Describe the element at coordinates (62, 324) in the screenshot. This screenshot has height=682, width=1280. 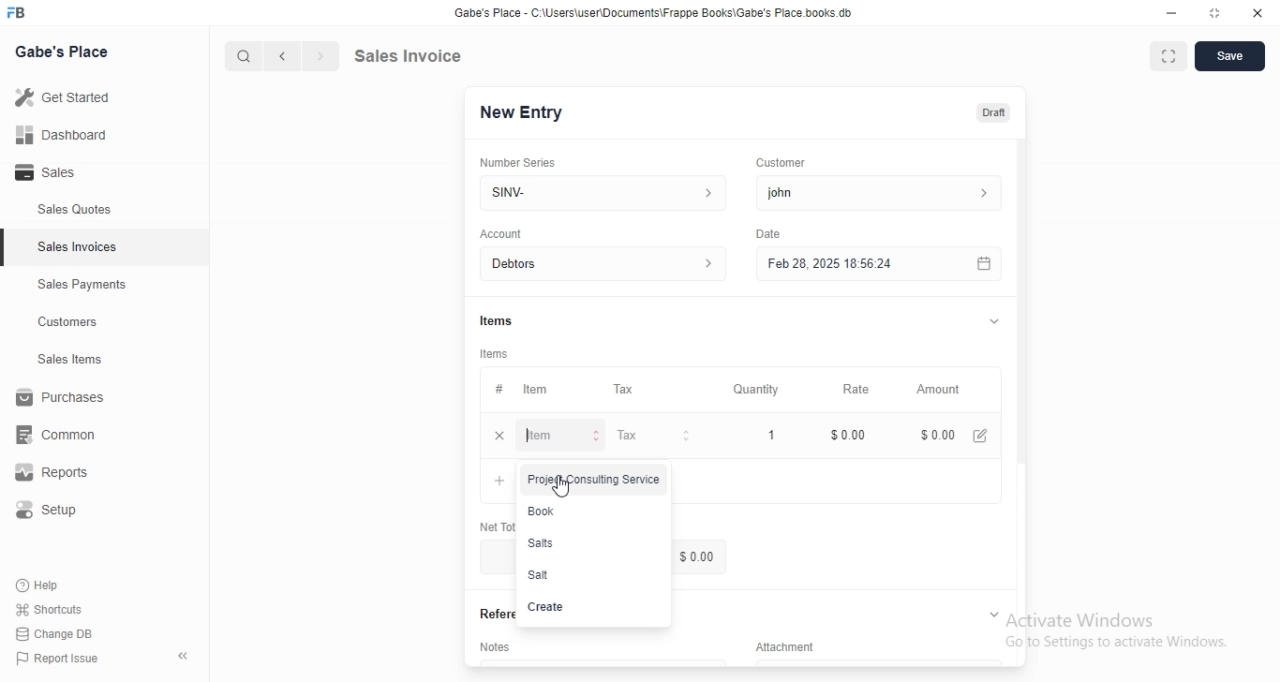
I see `Customers.` at that location.